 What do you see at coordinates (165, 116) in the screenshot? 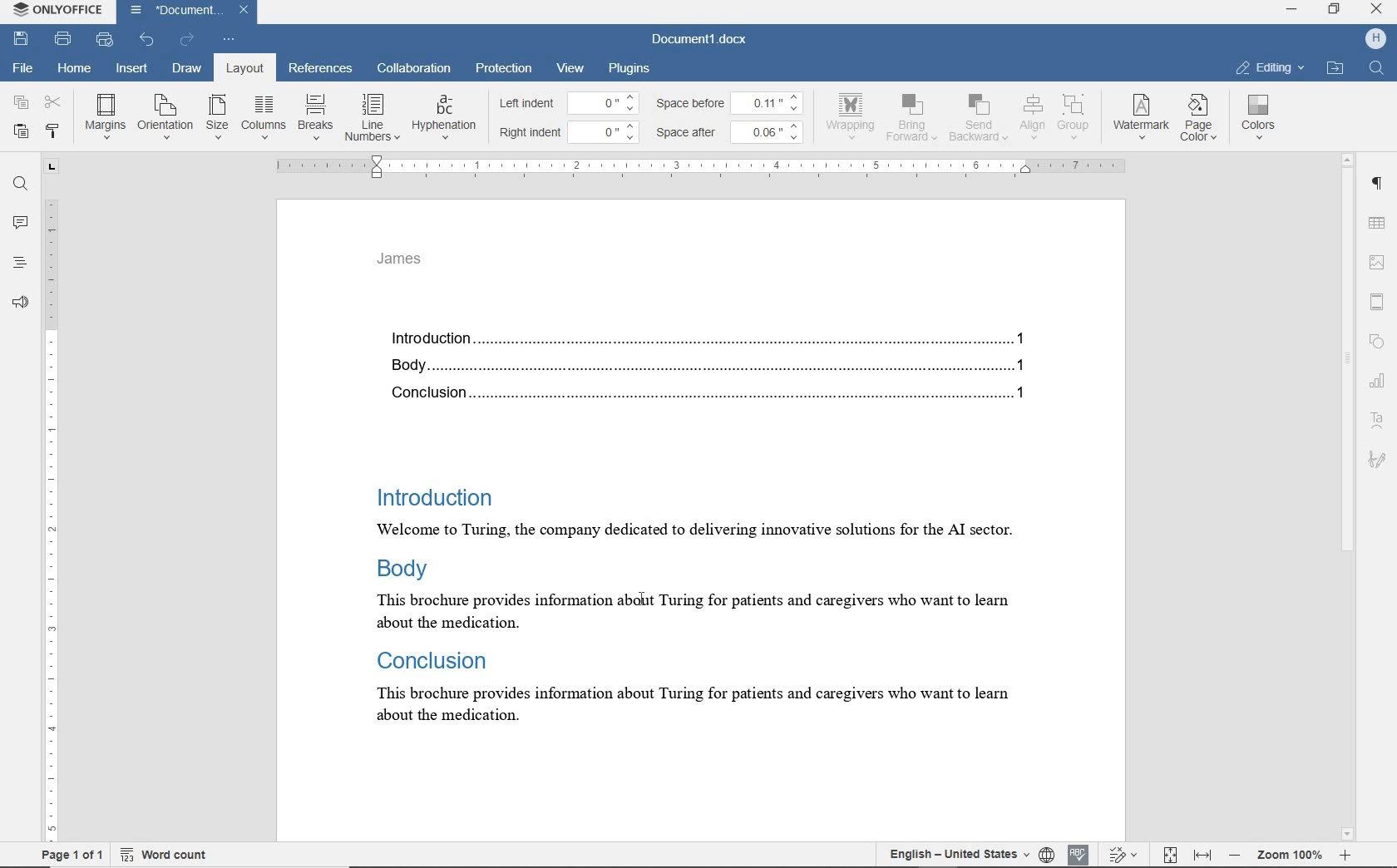
I see `orientation` at bounding box center [165, 116].